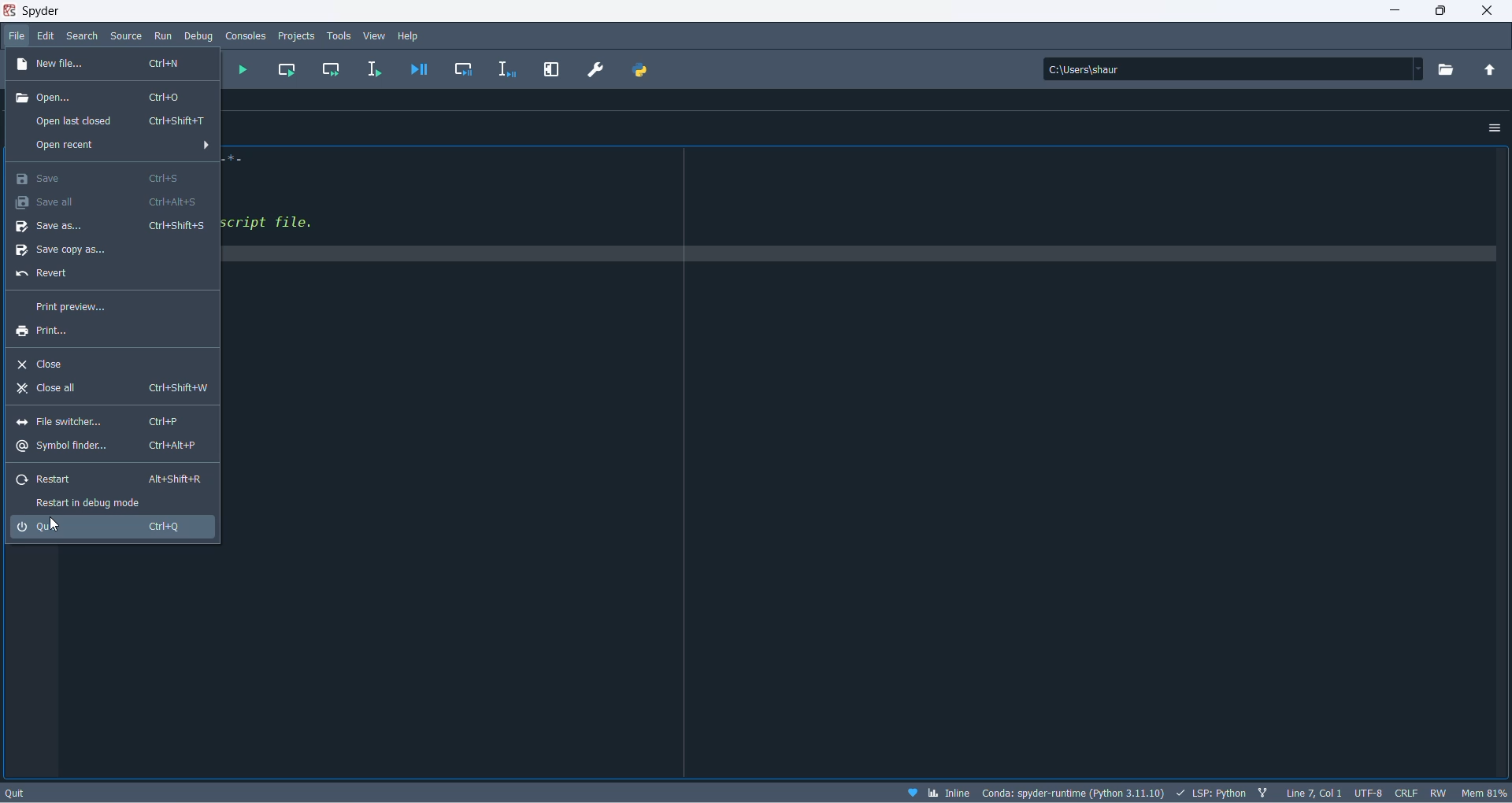 The width and height of the screenshot is (1512, 803). I want to click on working directory, so click(1448, 70).